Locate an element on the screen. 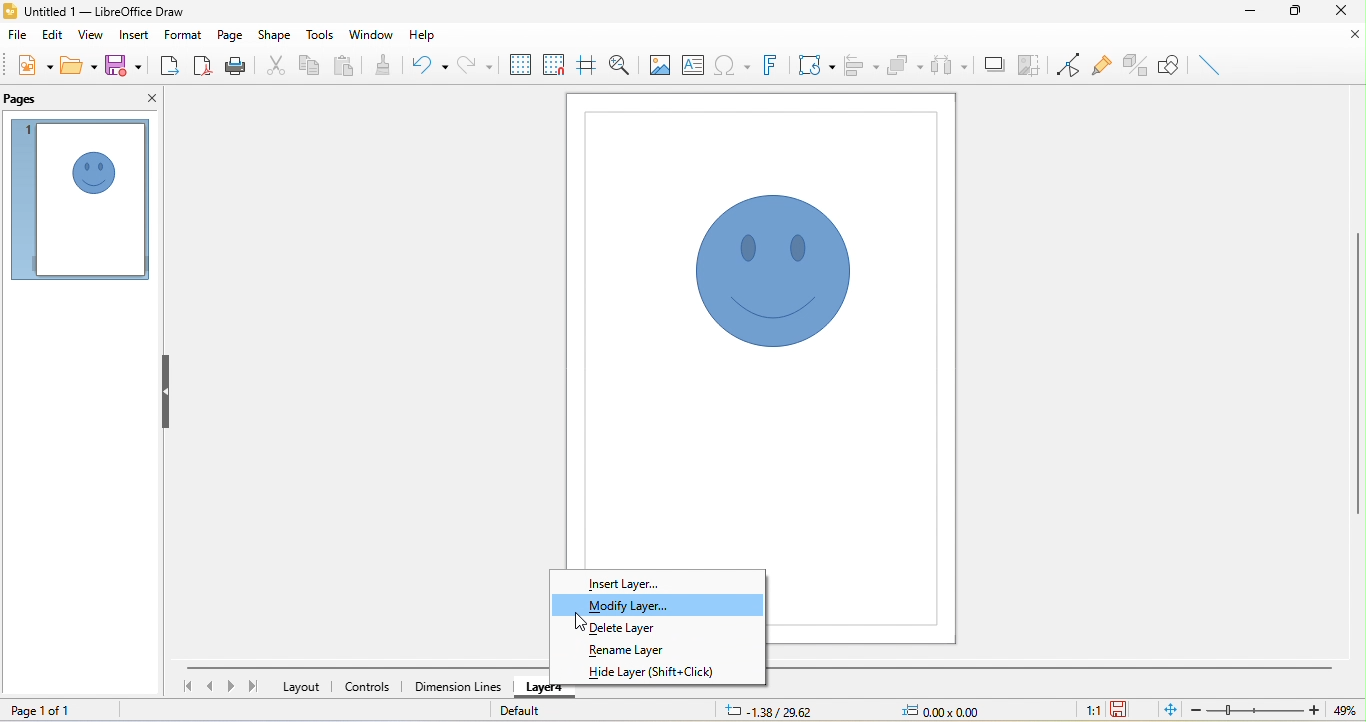  horizontal scroll bar is located at coordinates (358, 668).